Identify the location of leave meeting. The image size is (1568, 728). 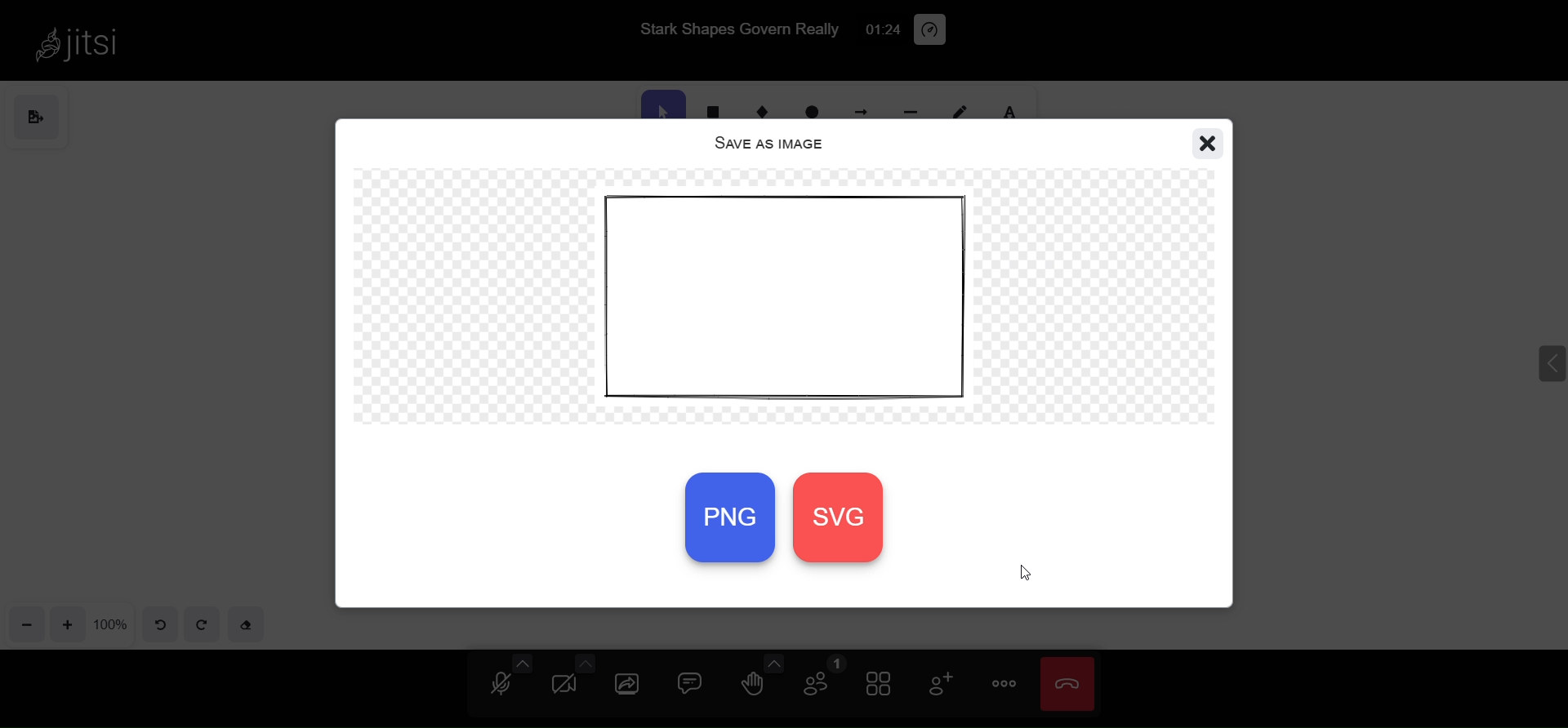
(1071, 684).